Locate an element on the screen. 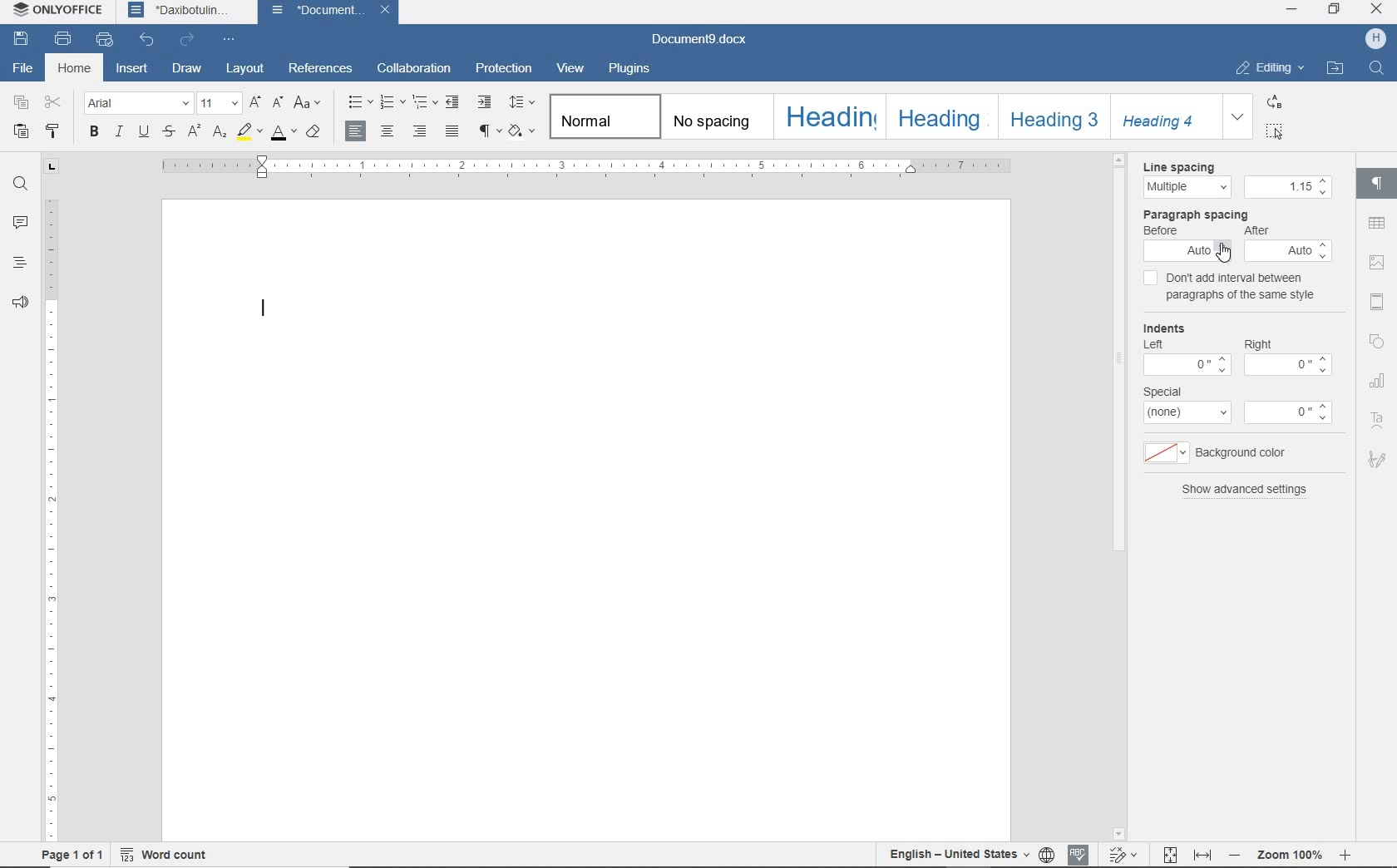 The height and width of the screenshot is (868, 1397). spacing is located at coordinates (1288, 187).